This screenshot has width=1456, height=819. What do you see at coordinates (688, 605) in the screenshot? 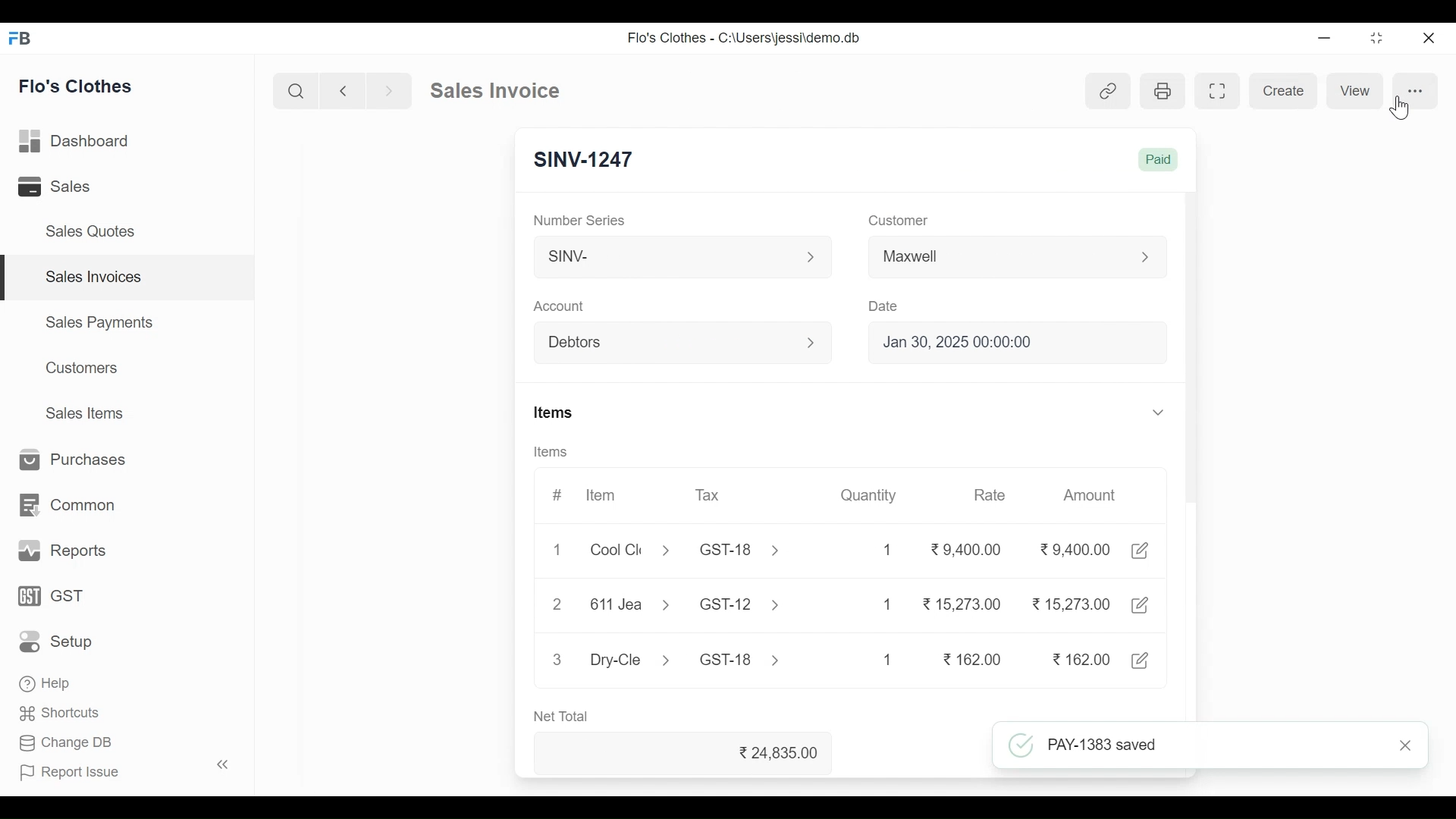
I see `611Jea > GST-12 >` at bounding box center [688, 605].